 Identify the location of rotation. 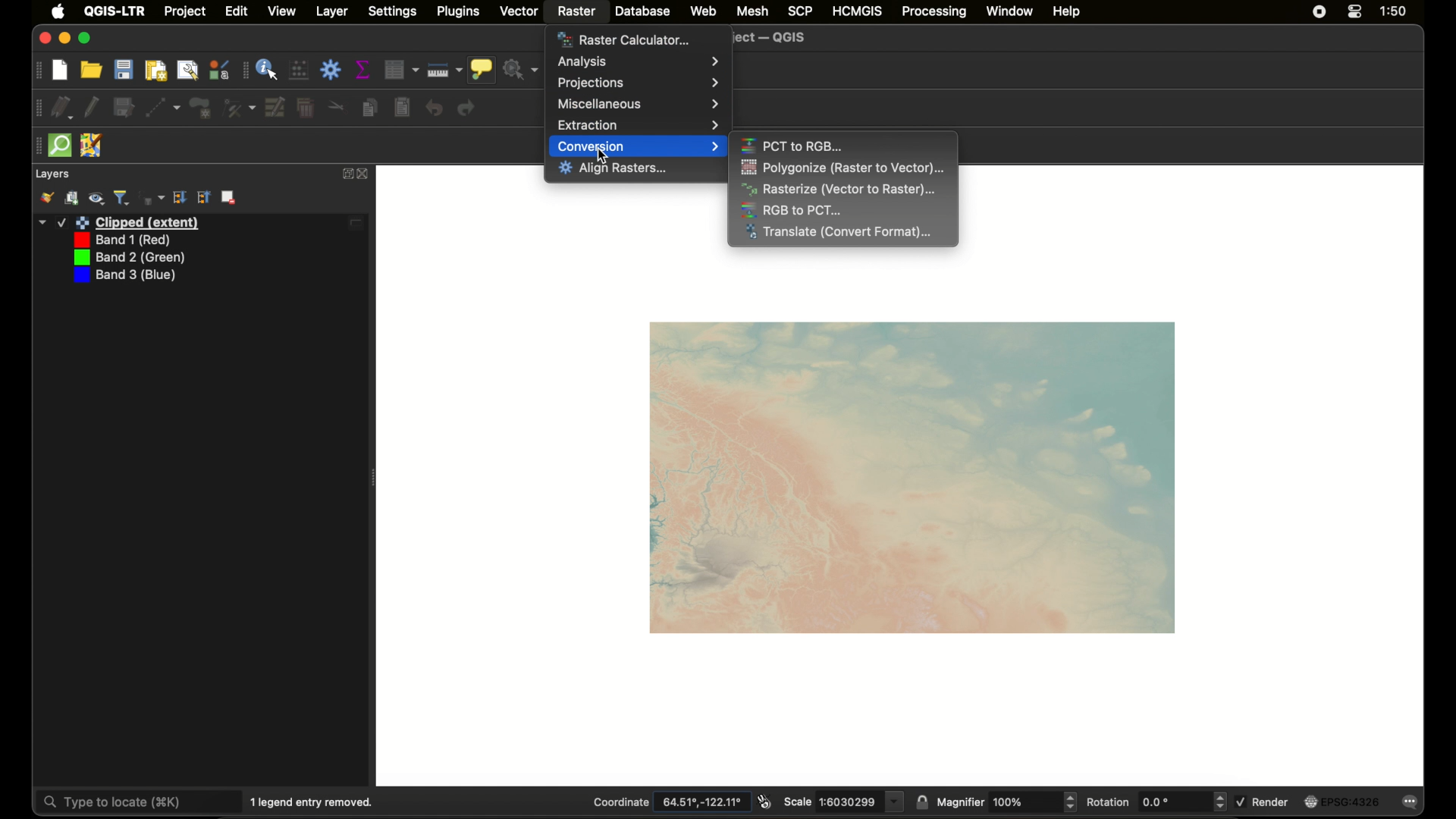
(1156, 802).